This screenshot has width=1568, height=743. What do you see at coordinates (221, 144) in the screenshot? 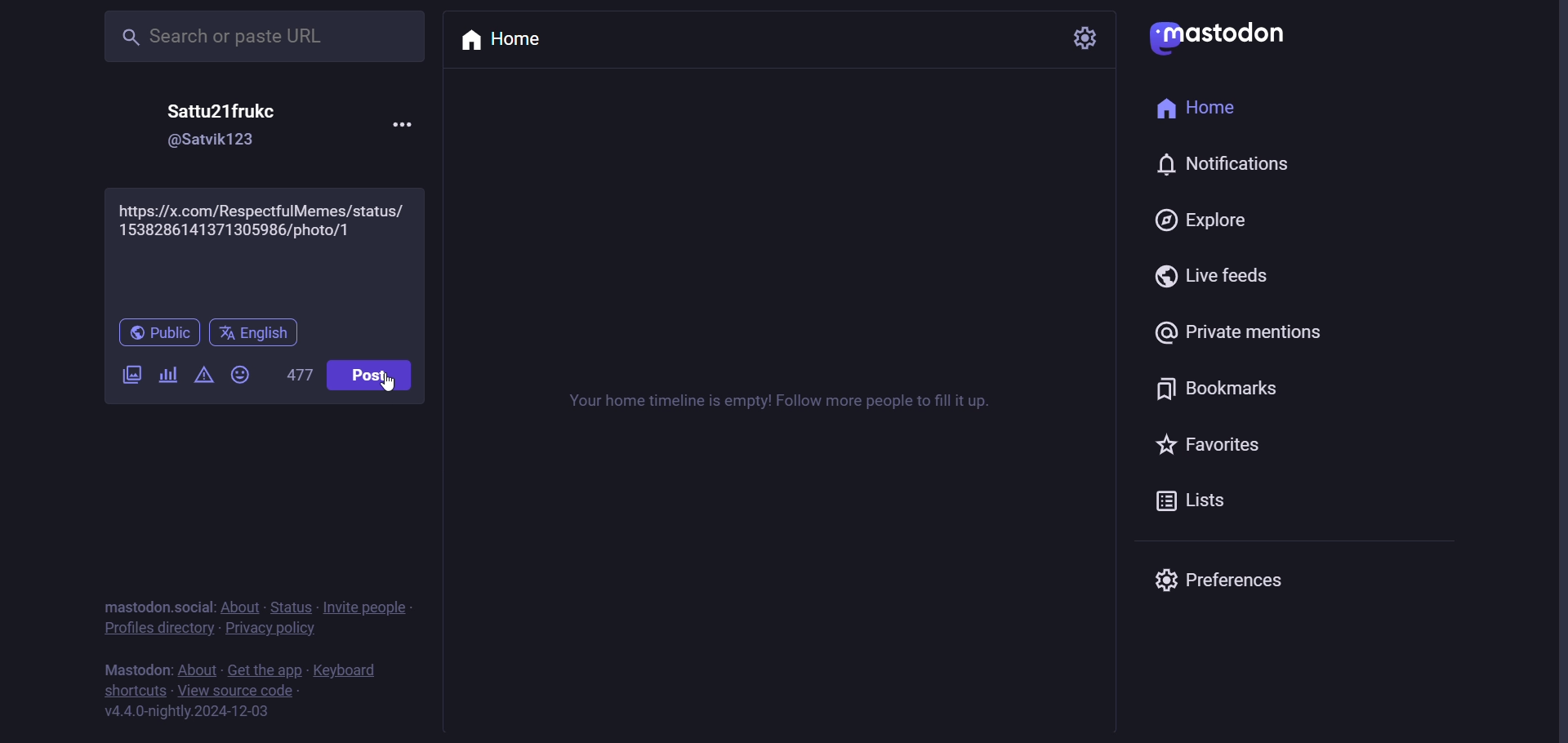
I see `@Satvik123` at bounding box center [221, 144].